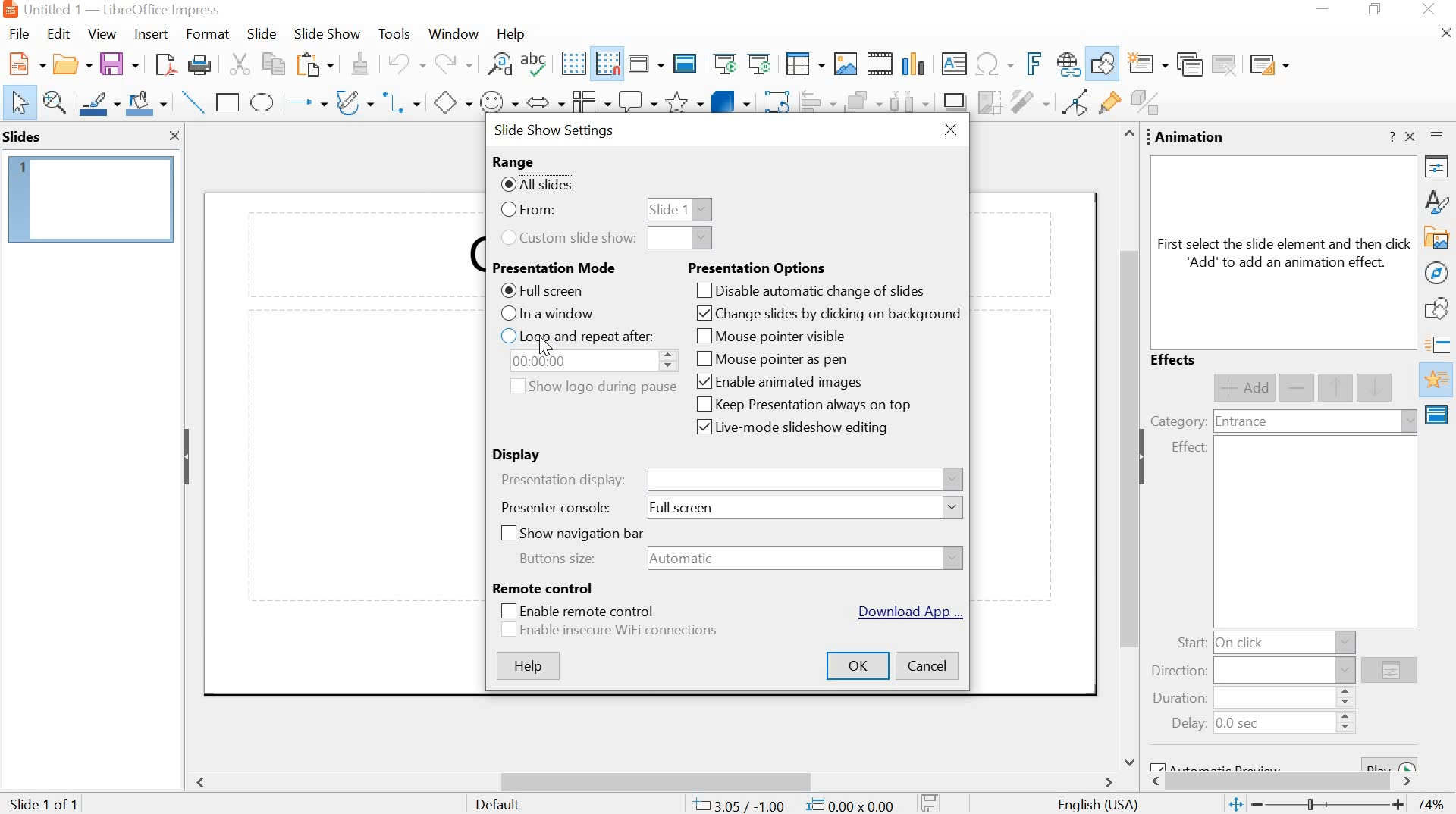  I want to click on show gluepoint functions, so click(1106, 104).